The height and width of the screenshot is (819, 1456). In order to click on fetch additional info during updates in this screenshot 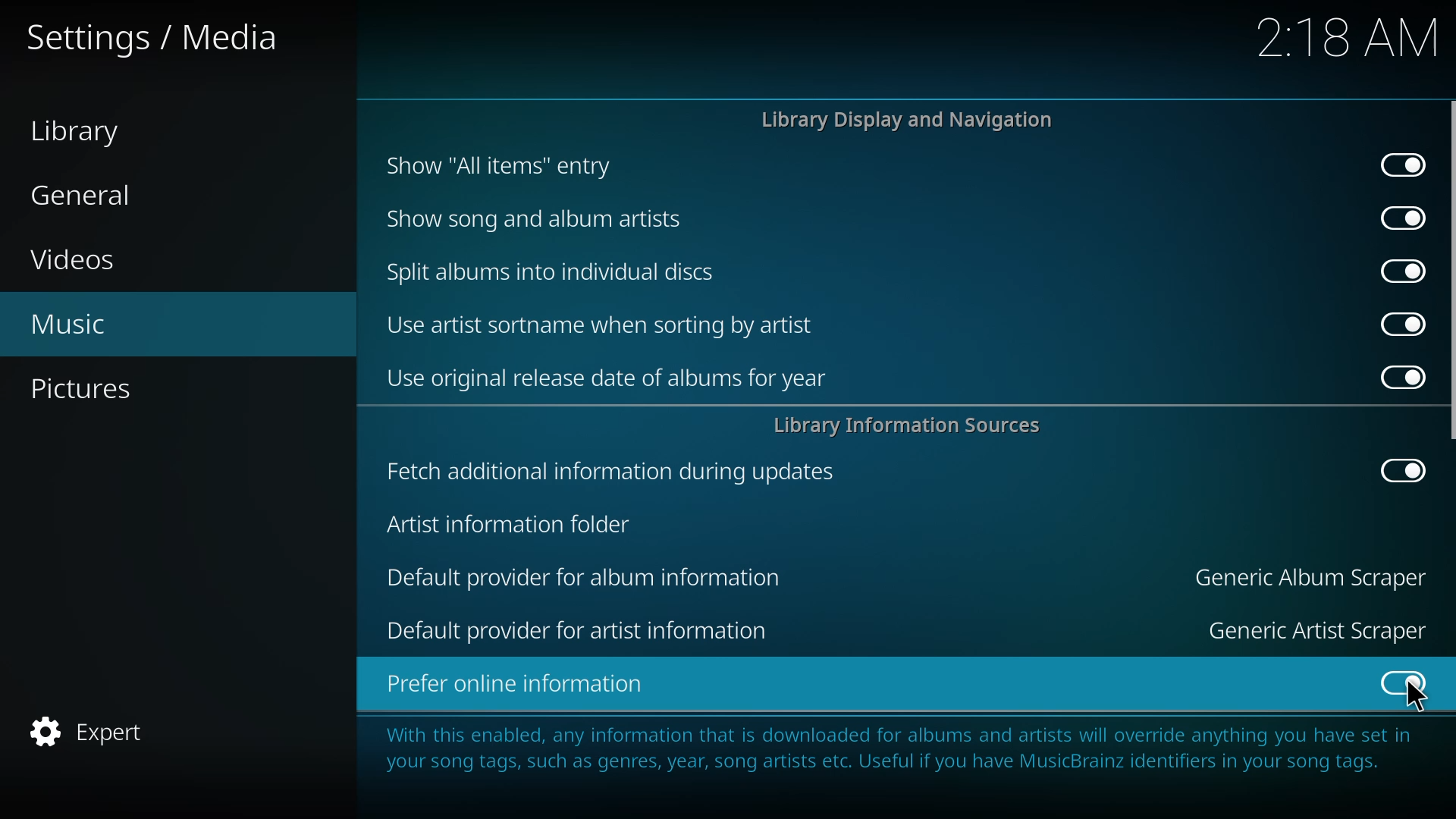, I will do `click(615, 470)`.